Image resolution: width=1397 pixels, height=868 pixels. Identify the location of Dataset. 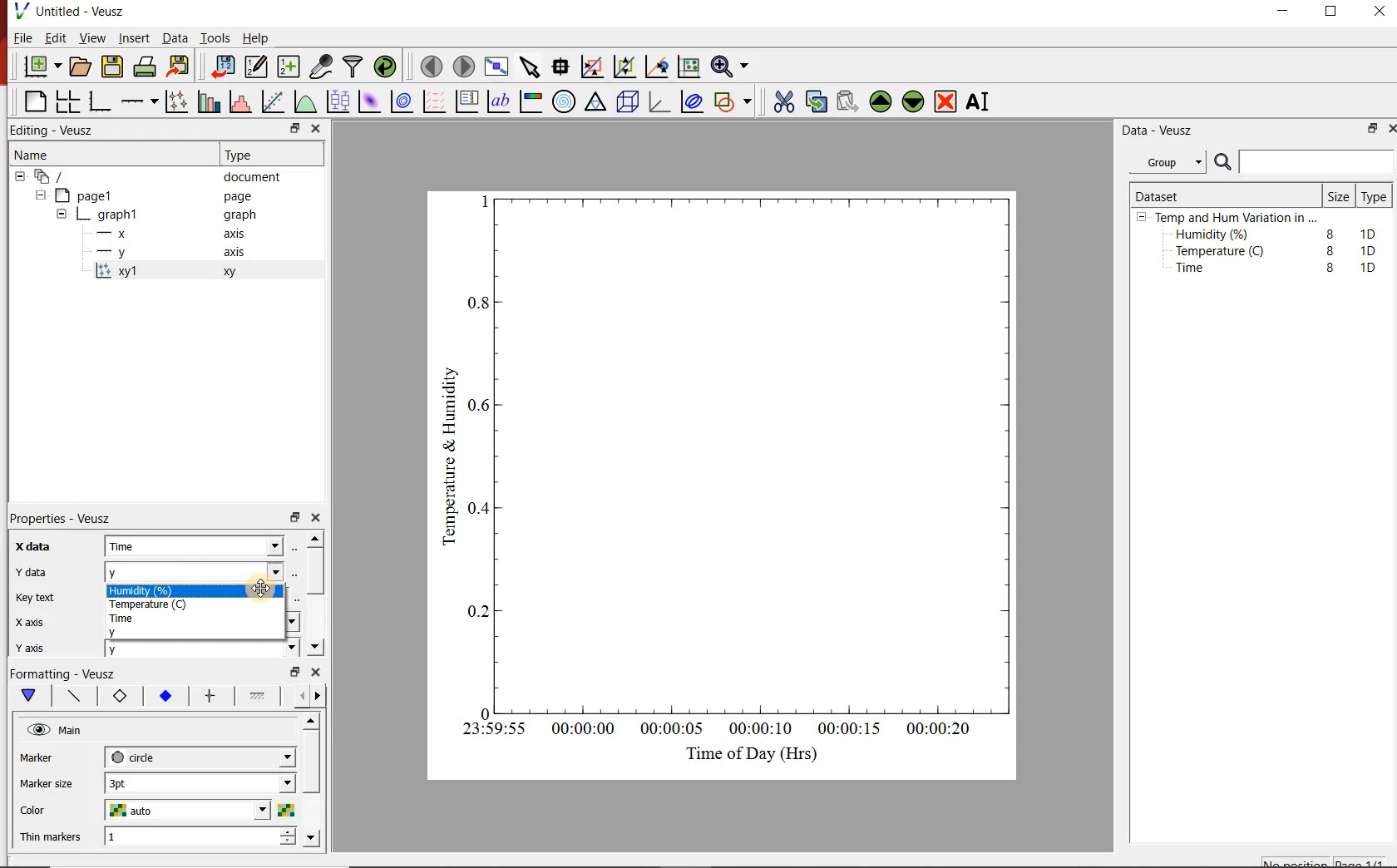
(1164, 194).